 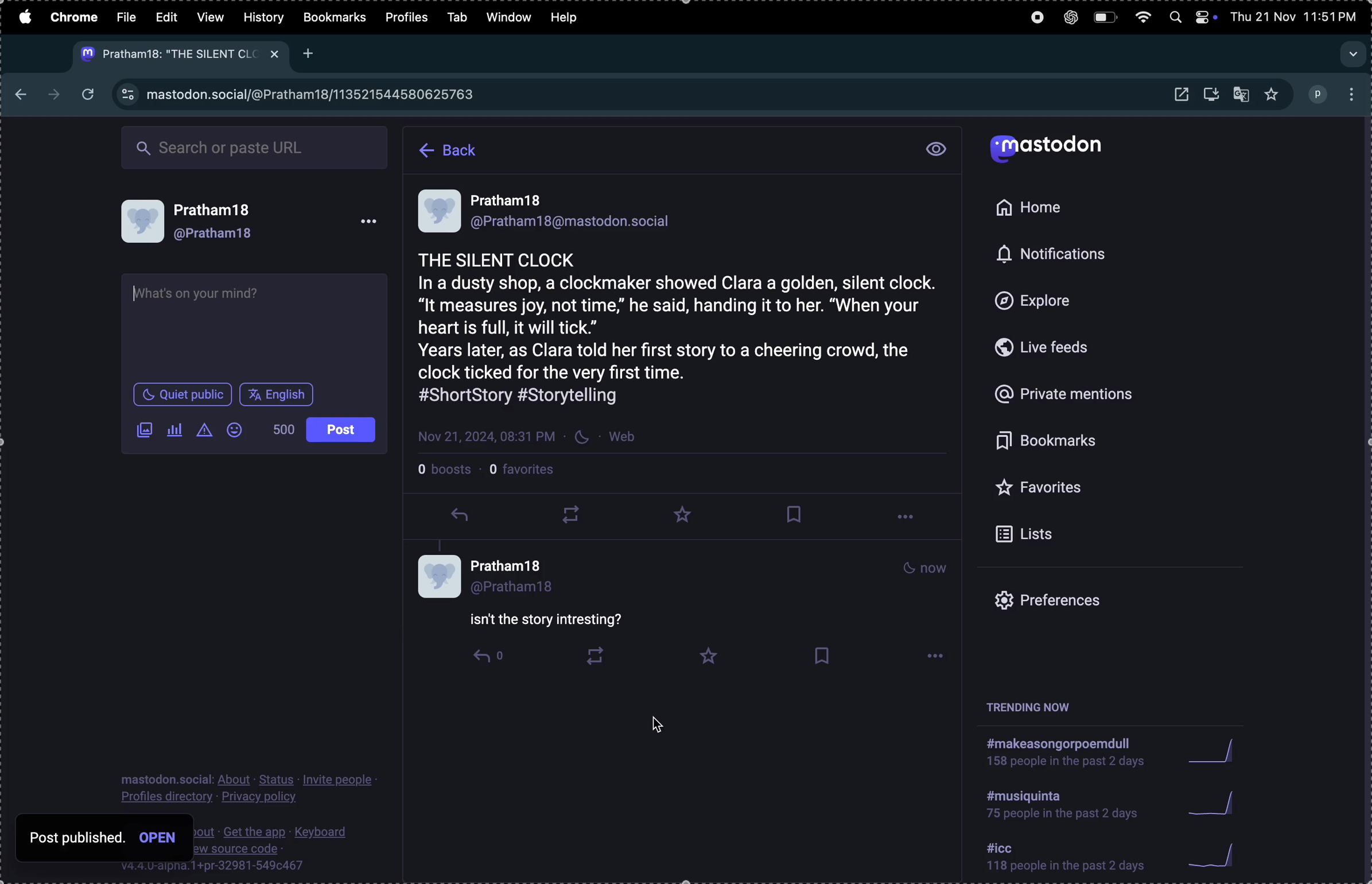 What do you see at coordinates (1351, 50) in the screenshot?
I see `search tabs` at bounding box center [1351, 50].